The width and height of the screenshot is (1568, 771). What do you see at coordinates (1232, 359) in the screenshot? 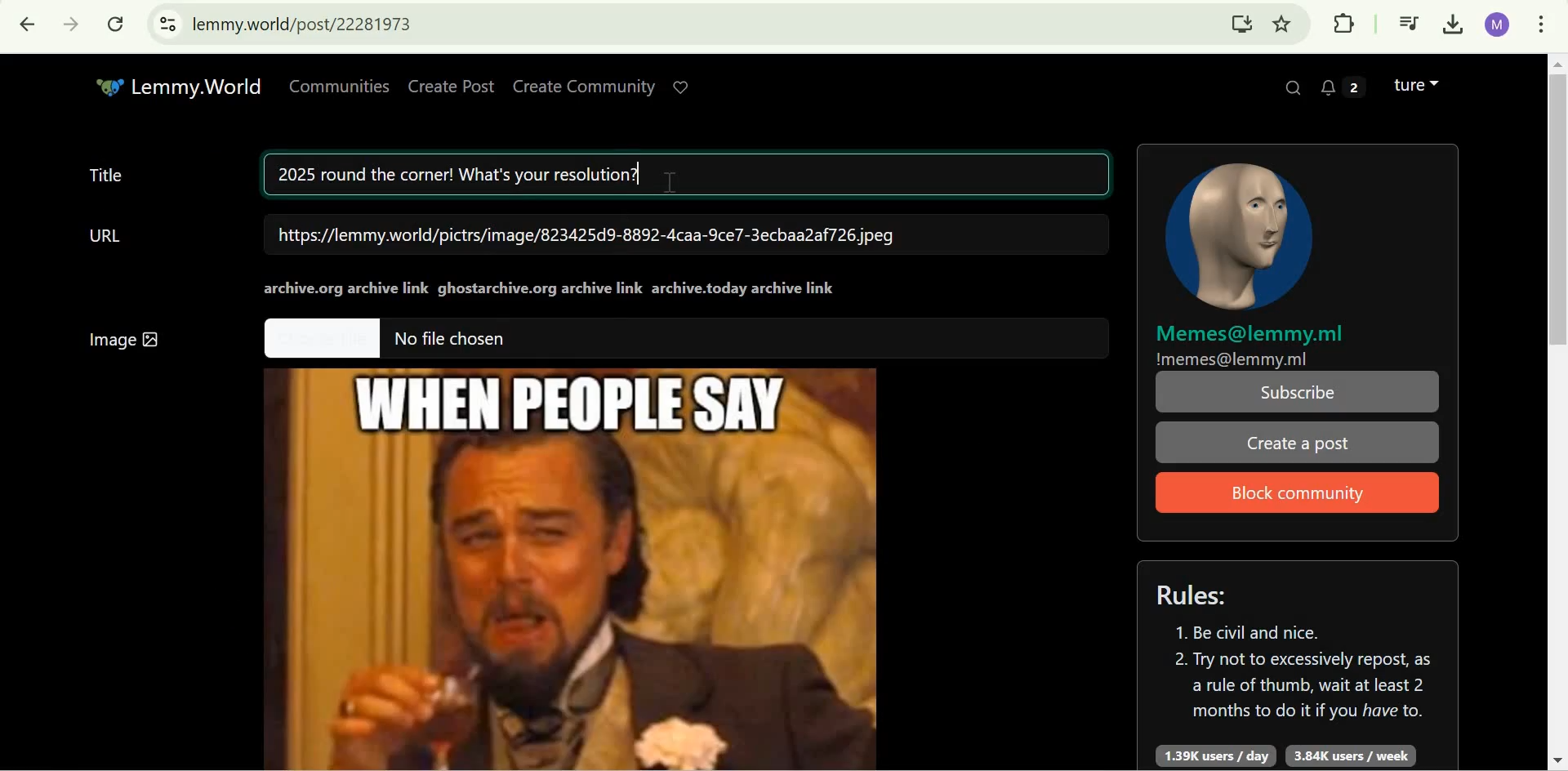
I see `!memes@lemmy.ml` at bounding box center [1232, 359].